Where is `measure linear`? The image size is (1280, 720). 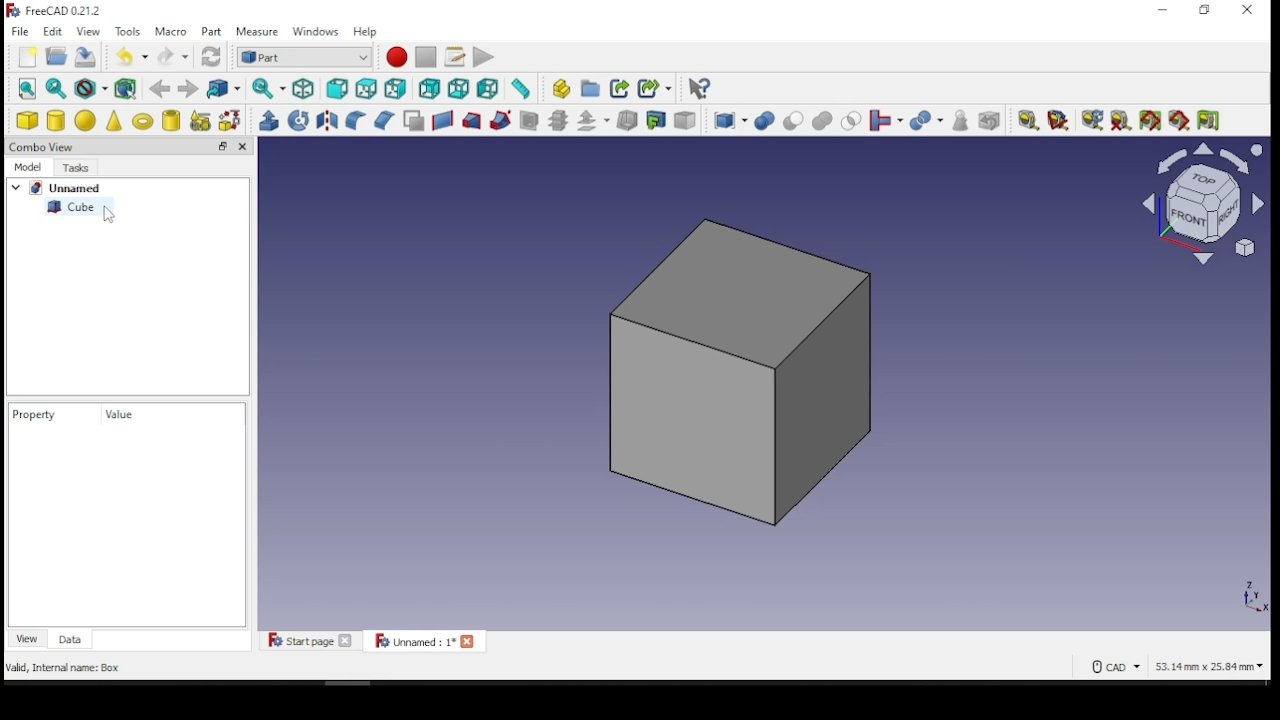
measure linear is located at coordinates (1029, 120).